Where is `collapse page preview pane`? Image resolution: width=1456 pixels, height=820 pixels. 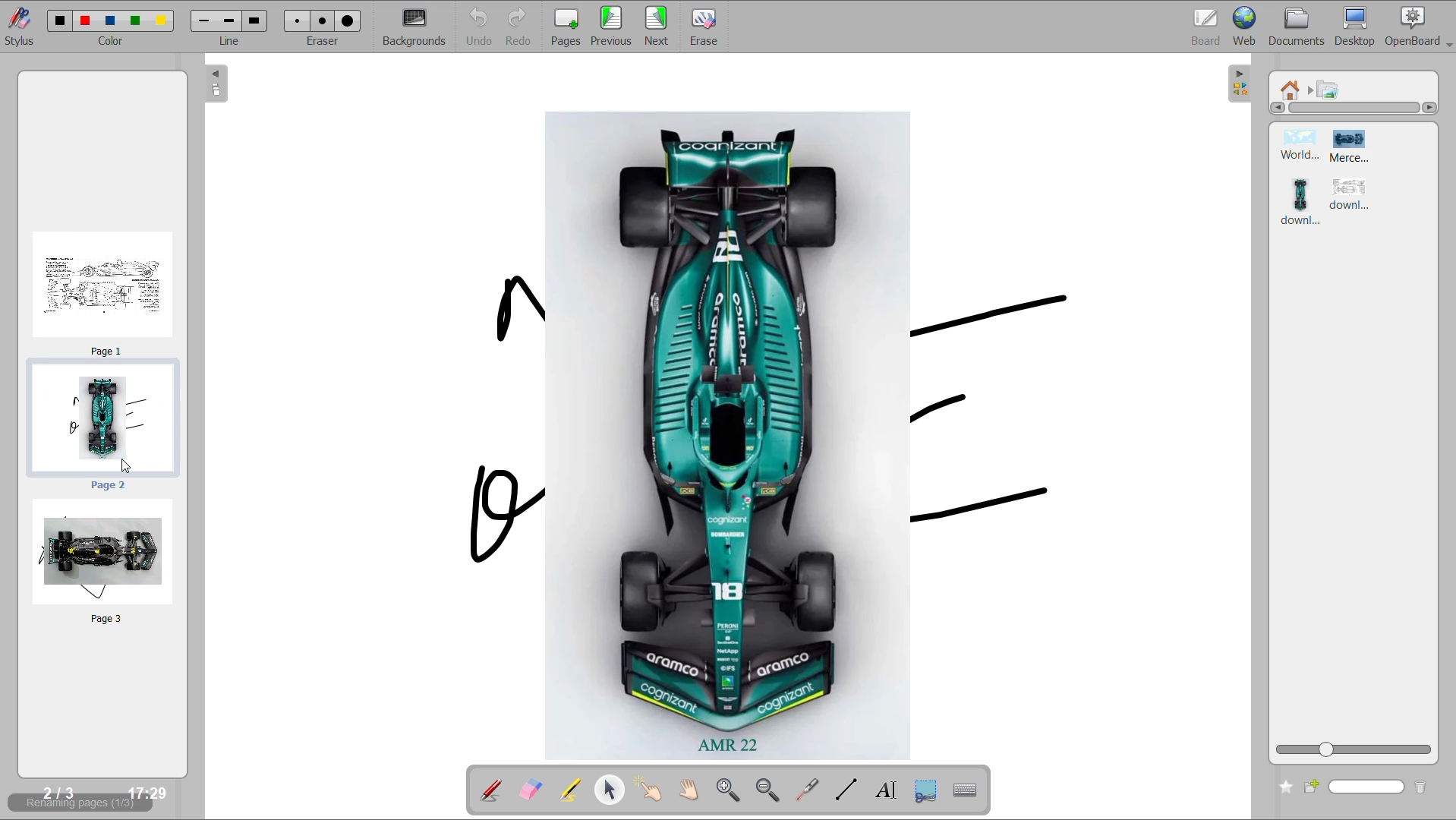
collapse page preview pane is located at coordinates (216, 85).